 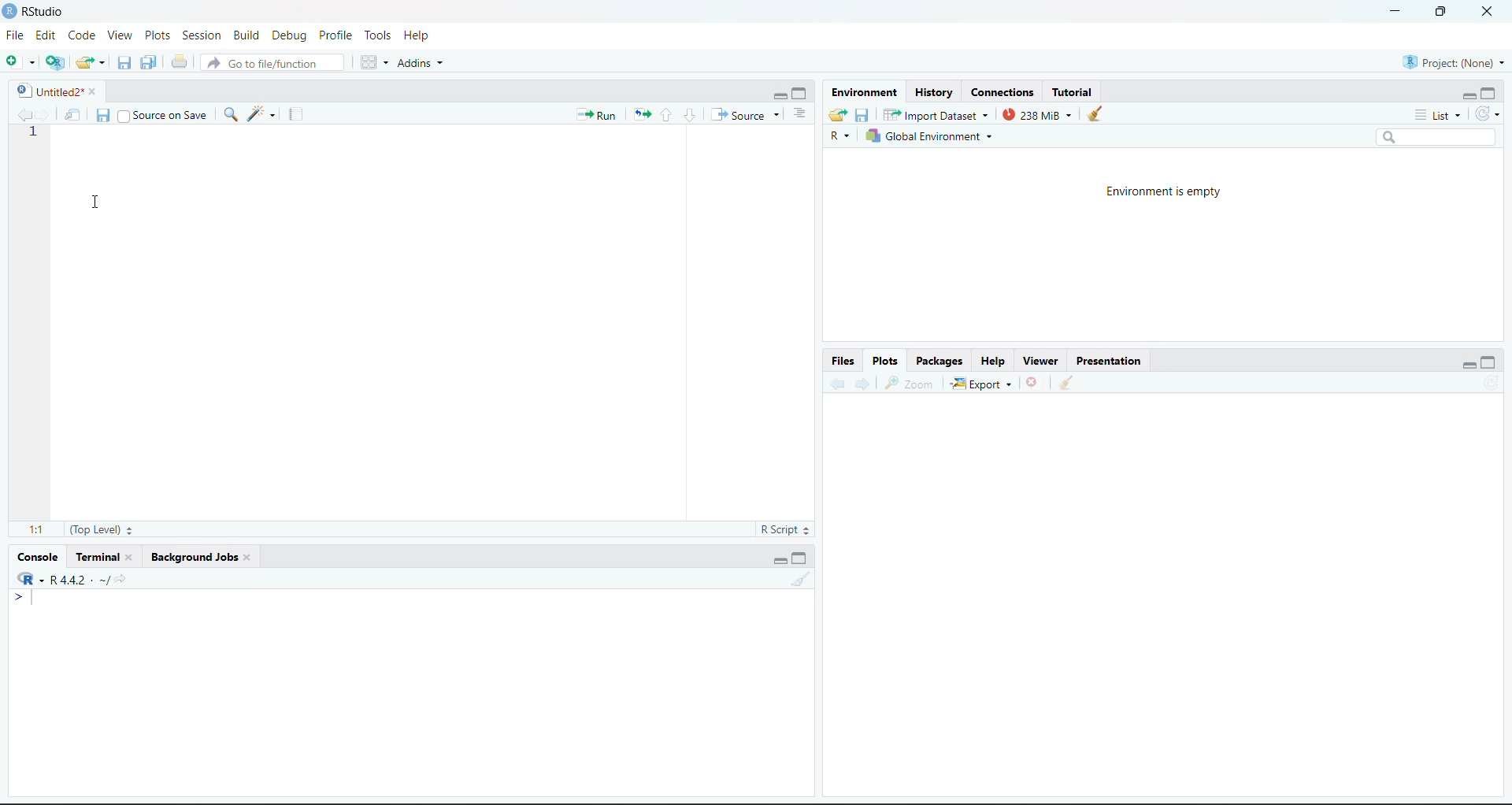 What do you see at coordinates (36, 530) in the screenshot?
I see `1:1` at bounding box center [36, 530].